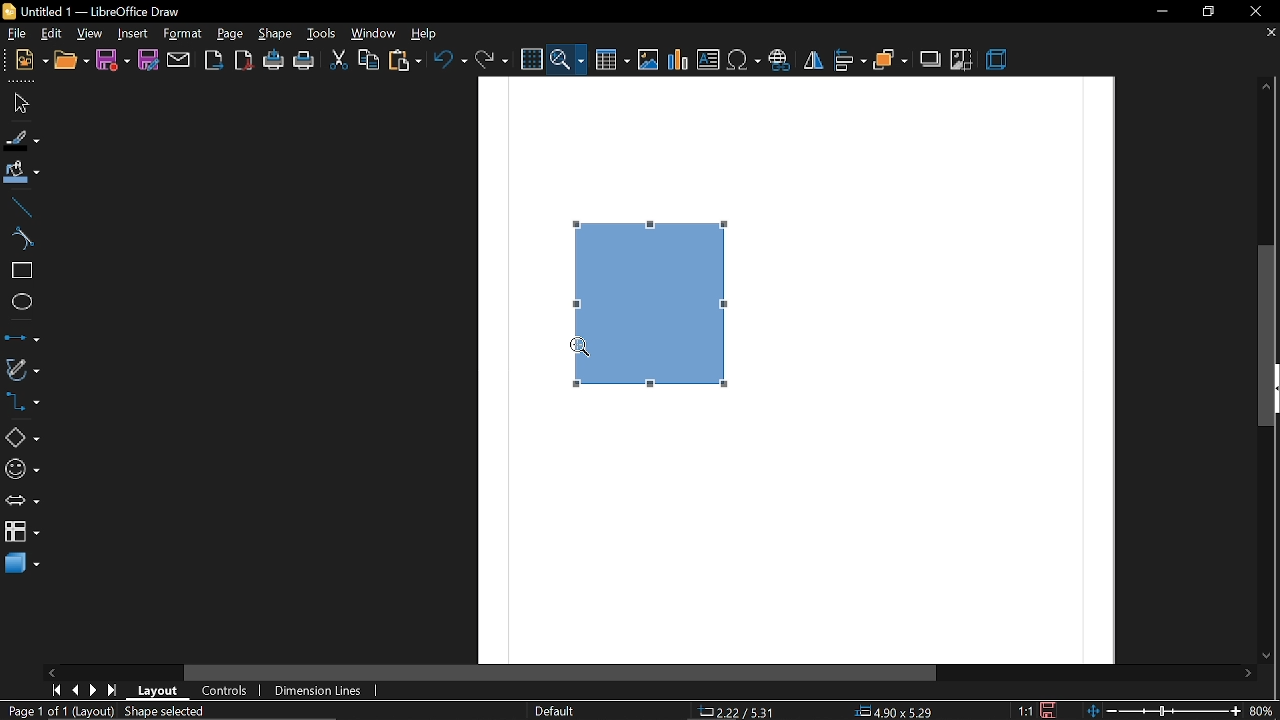 The height and width of the screenshot is (720, 1280). I want to click on layout, so click(159, 692).